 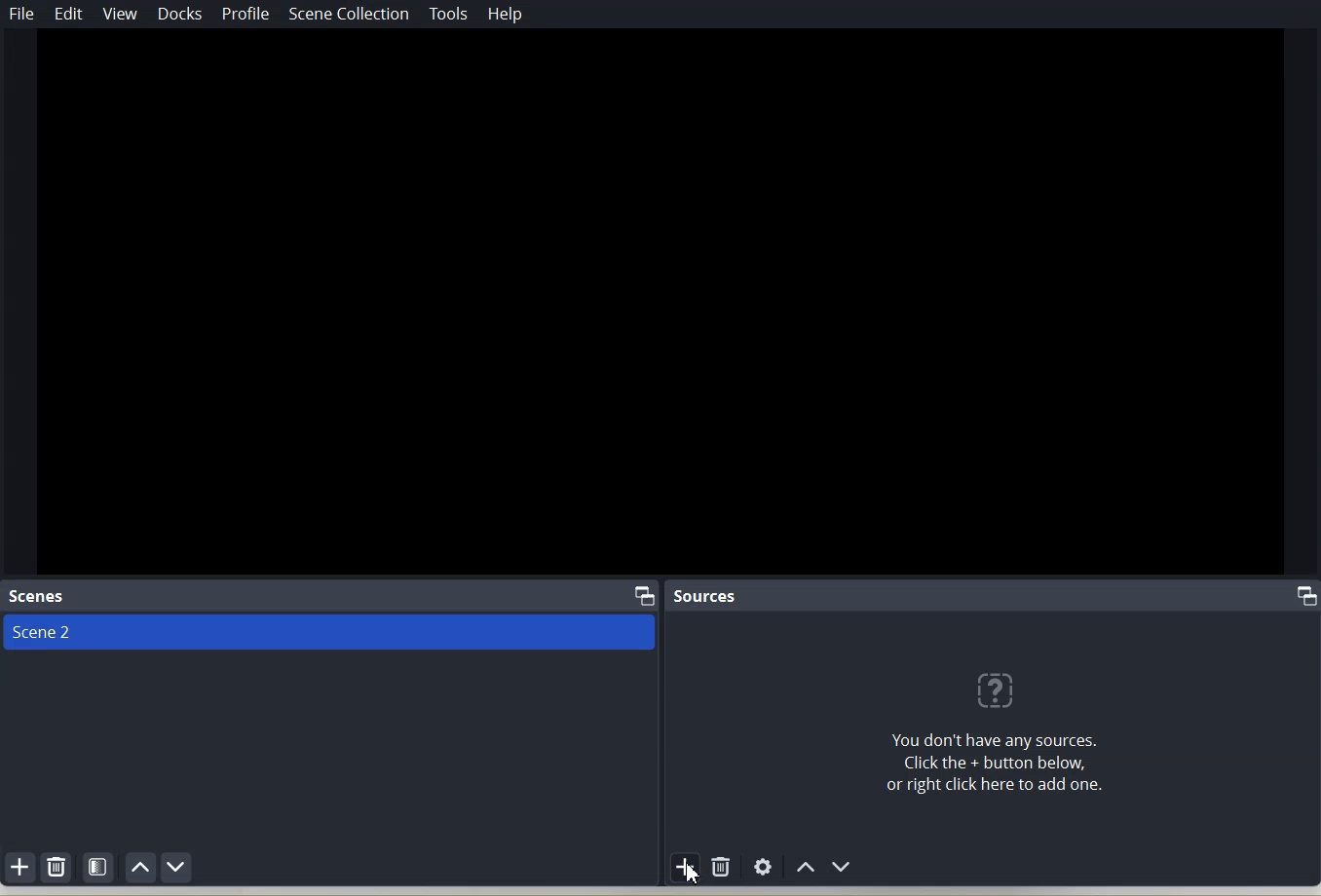 What do you see at coordinates (120, 14) in the screenshot?
I see `View` at bounding box center [120, 14].